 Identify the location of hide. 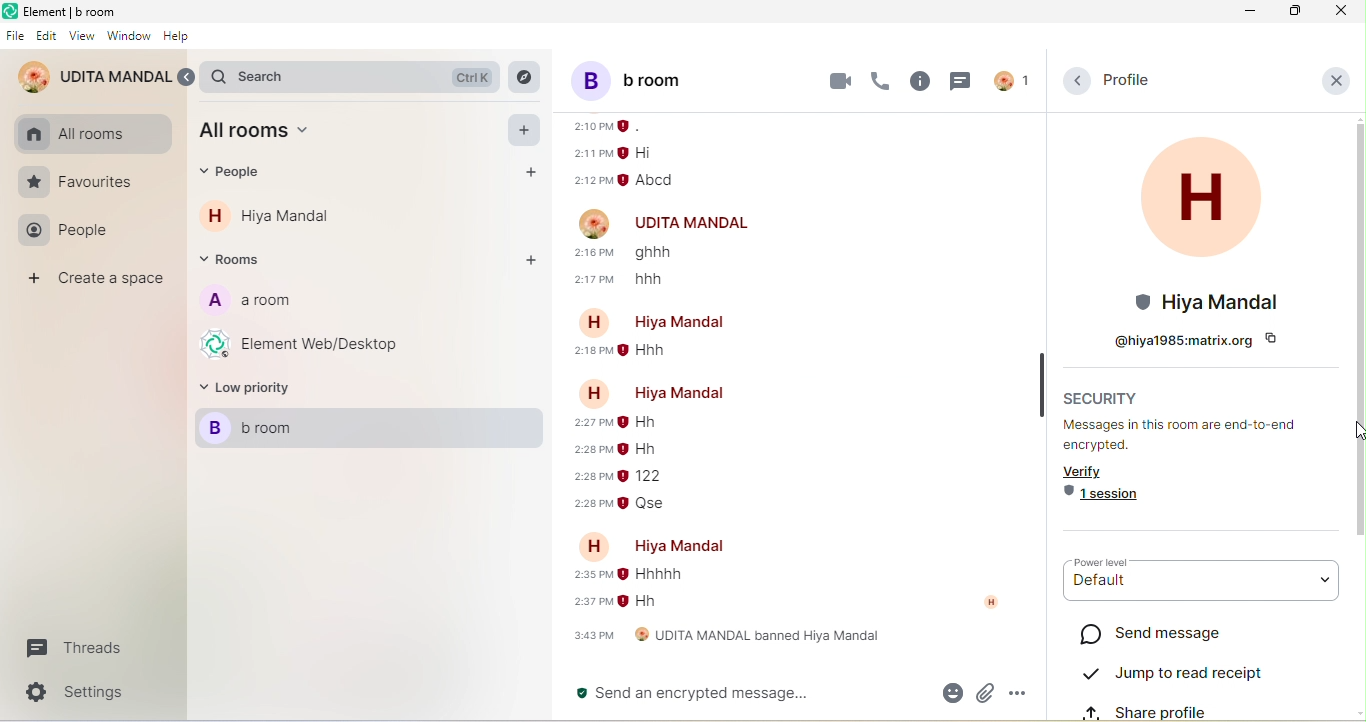
(1042, 383).